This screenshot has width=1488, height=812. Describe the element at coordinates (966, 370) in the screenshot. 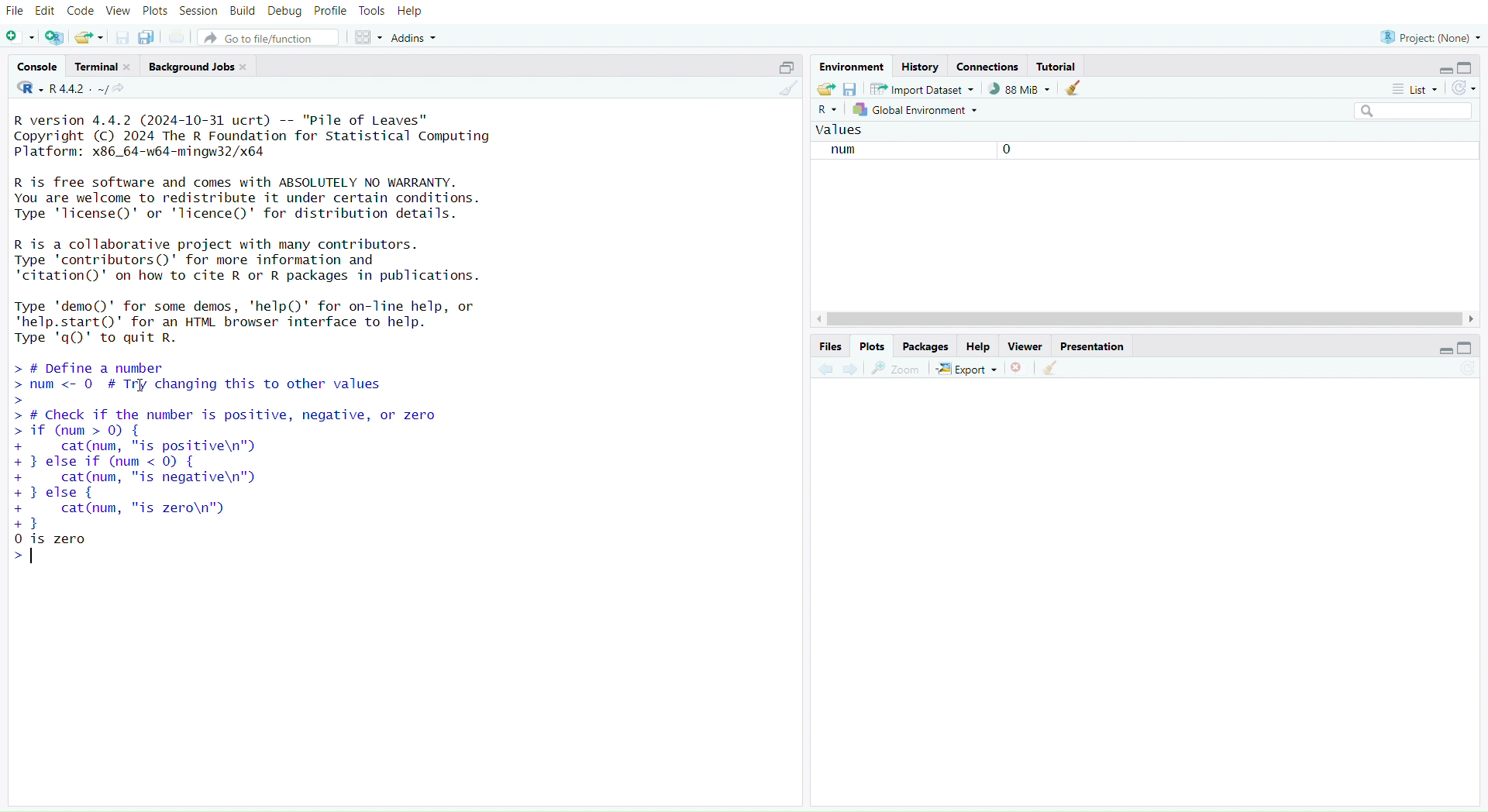

I see `export` at that location.